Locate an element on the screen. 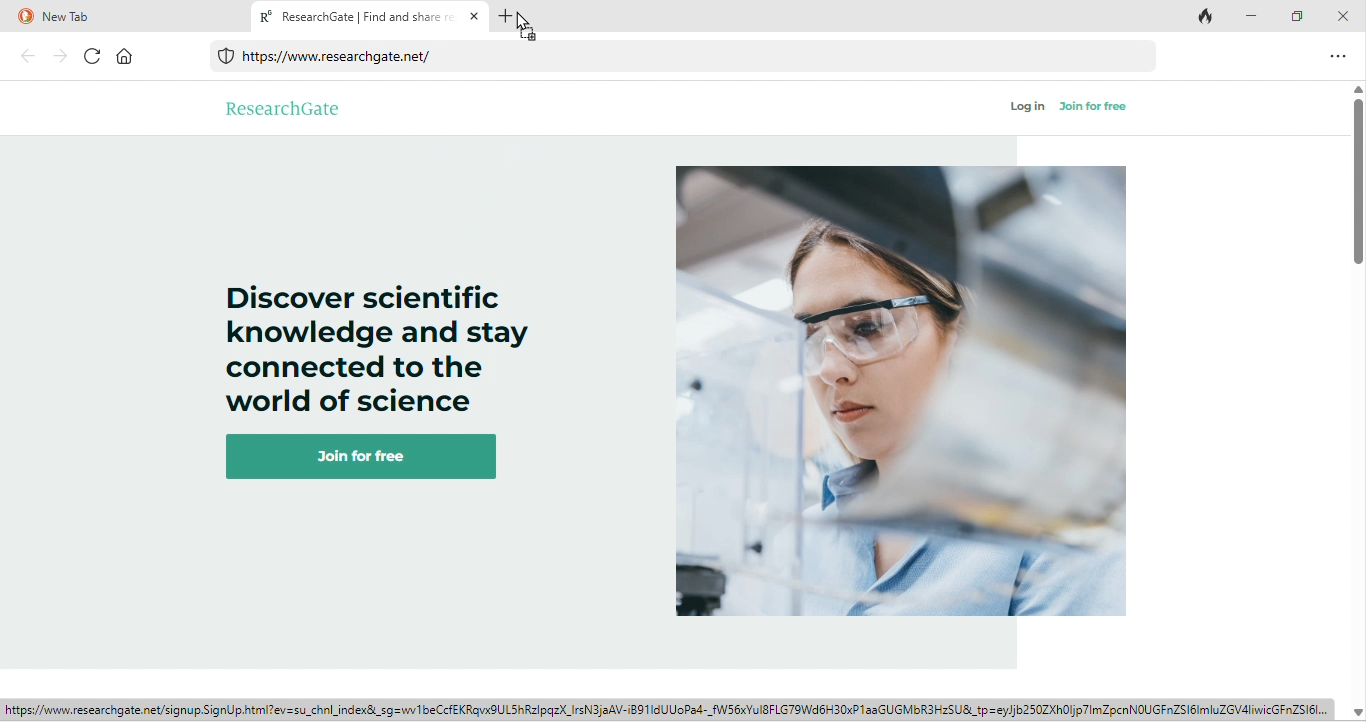 Image resolution: width=1366 pixels, height=722 pixels. option is located at coordinates (1337, 58).